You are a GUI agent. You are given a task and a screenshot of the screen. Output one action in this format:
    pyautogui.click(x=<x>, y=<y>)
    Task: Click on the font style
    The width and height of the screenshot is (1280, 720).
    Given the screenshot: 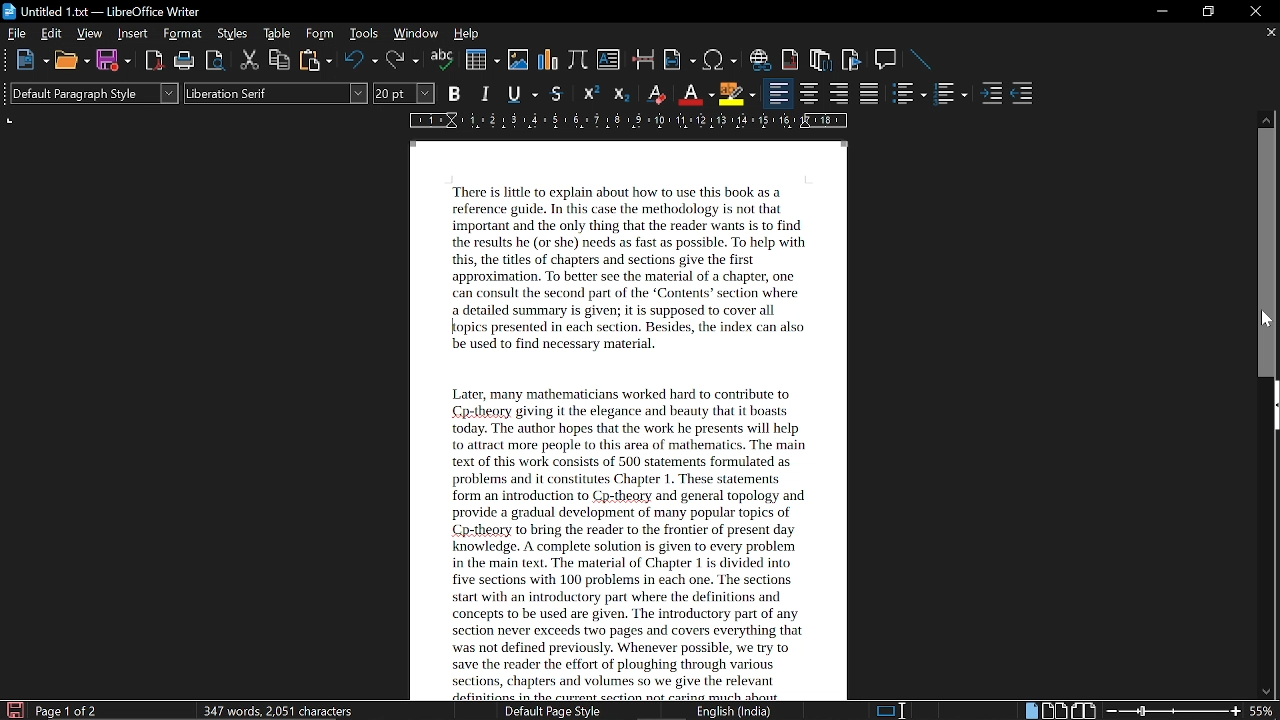 What is the action you would take?
    pyautogui.click(x=277, y=94)
    